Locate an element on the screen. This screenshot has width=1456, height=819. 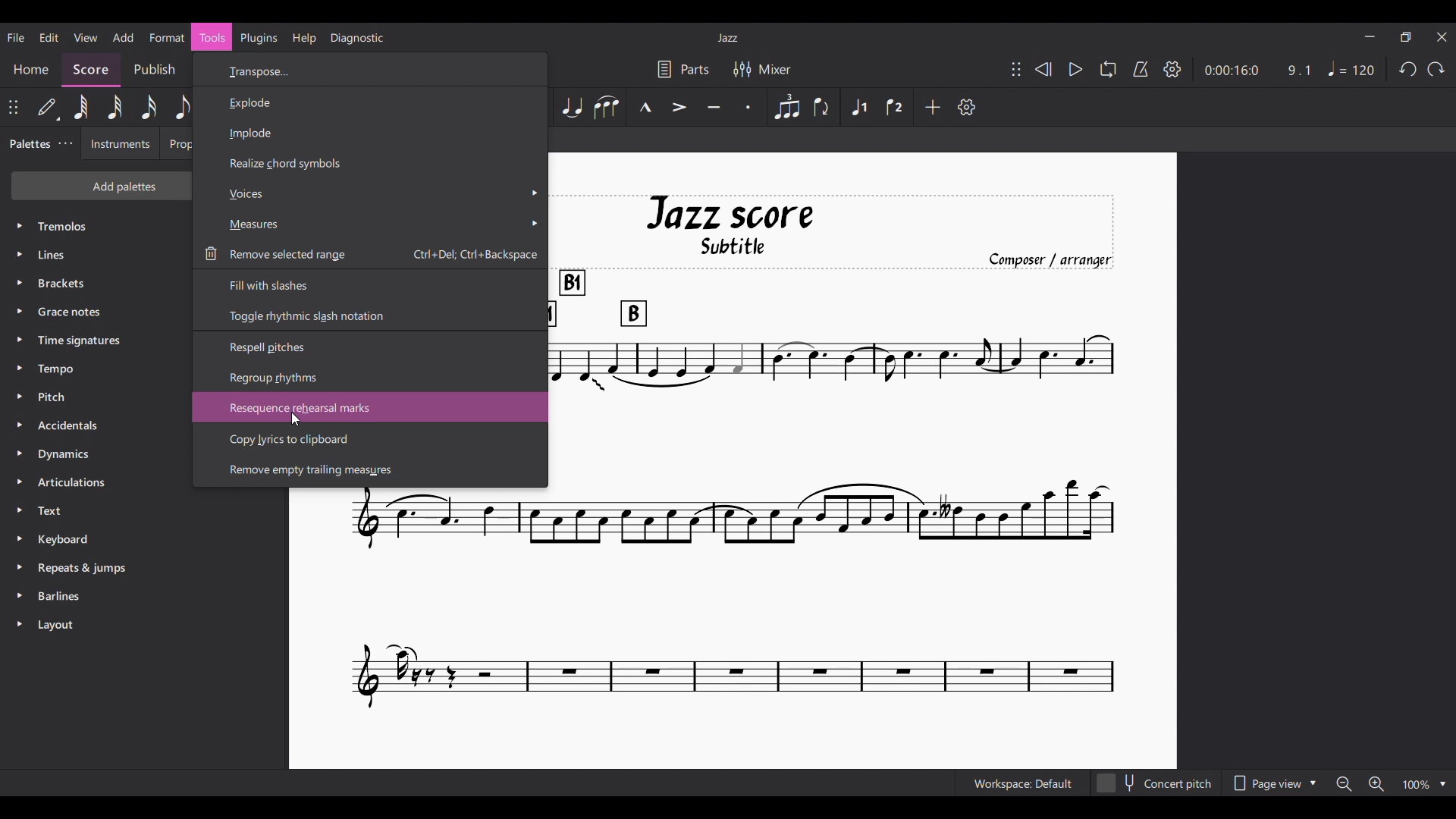
Remove empty trailing measures is located at coordinates (371, 470).